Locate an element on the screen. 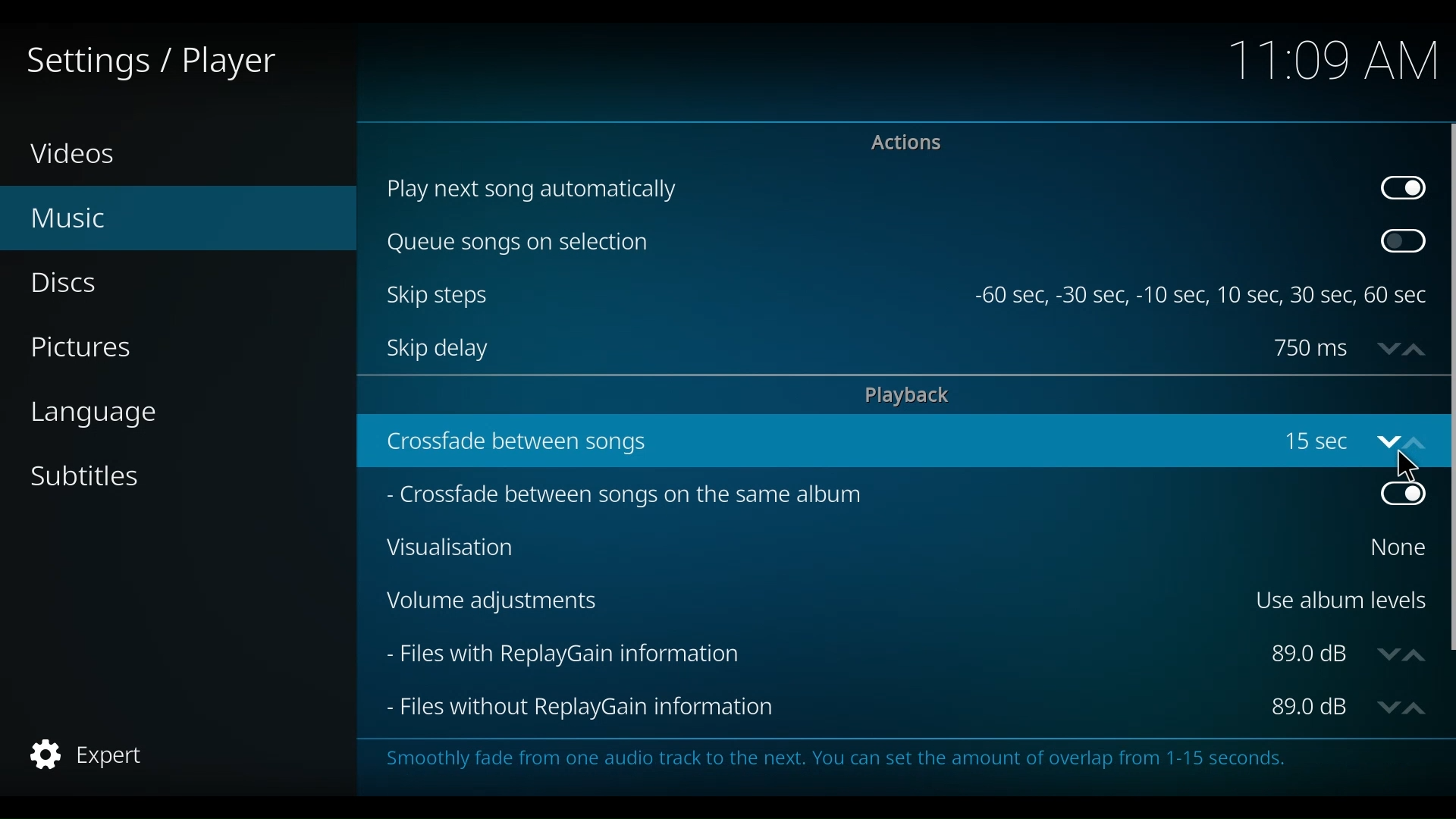  Toggle on/off crossfaed between songs on the same album is located at coordinates (1399, 494).